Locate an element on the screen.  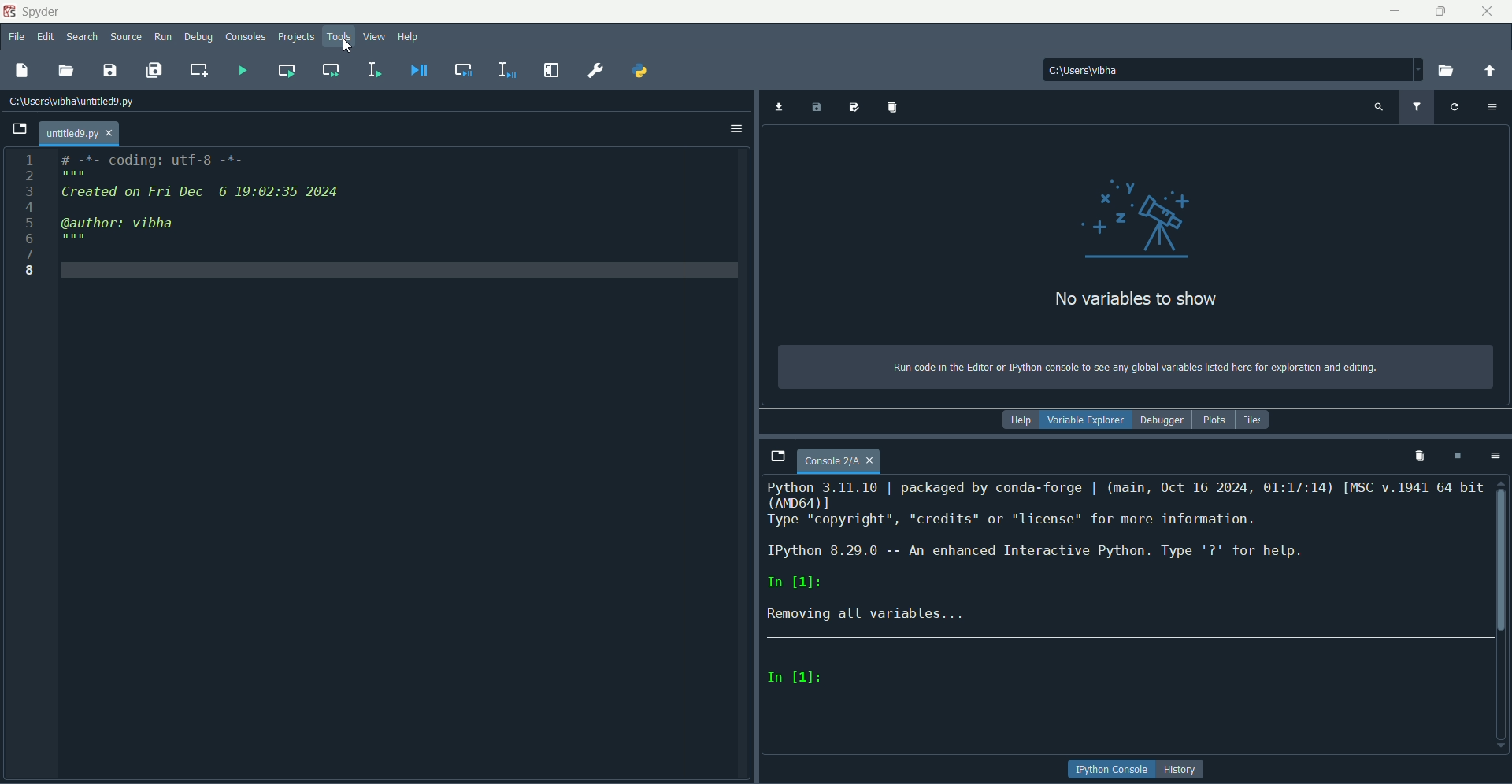
debug selection is located at coordinates (504, 70).